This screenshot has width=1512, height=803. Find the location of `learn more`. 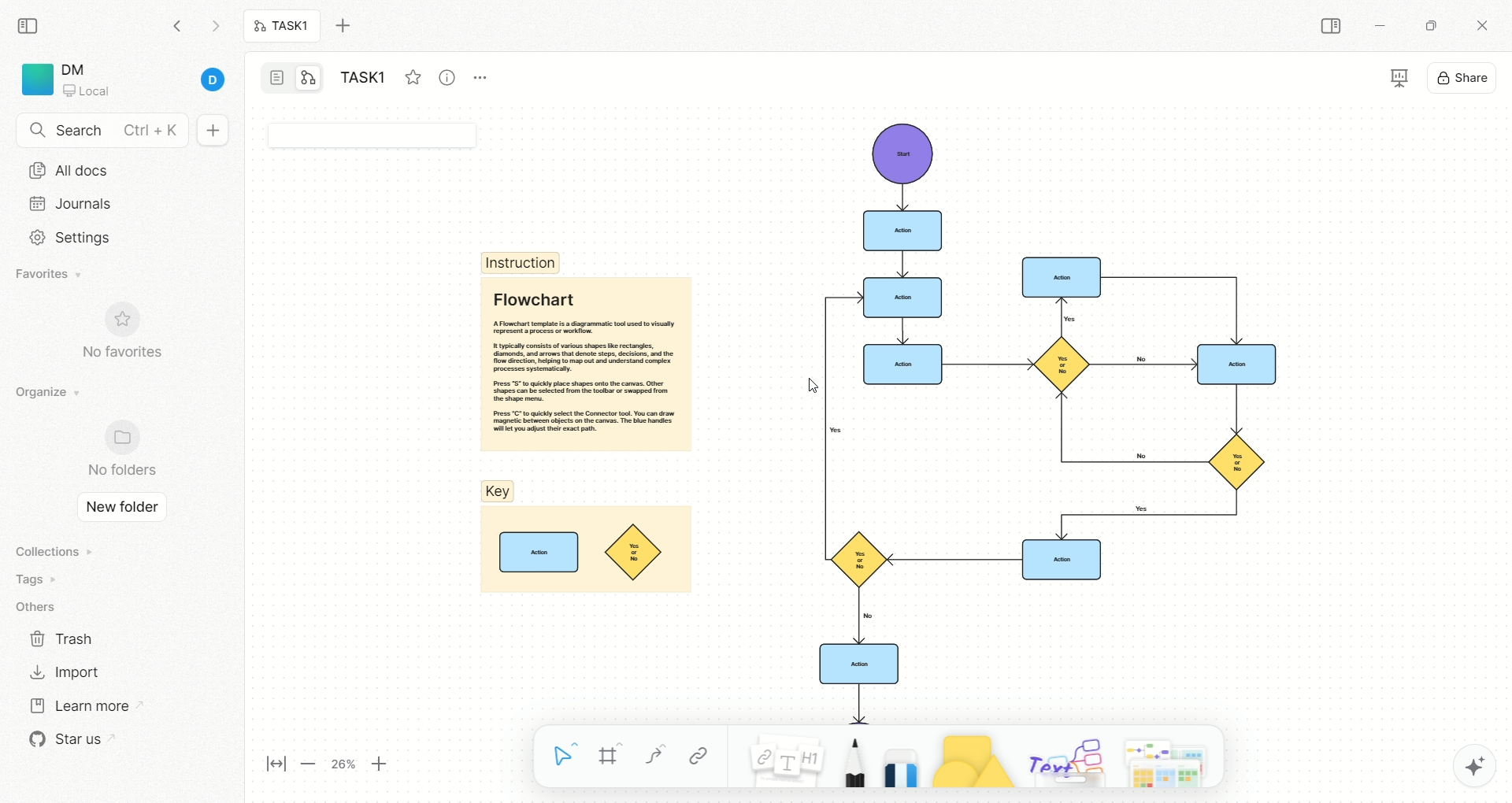

learn more is located at coordinates (78, 704).